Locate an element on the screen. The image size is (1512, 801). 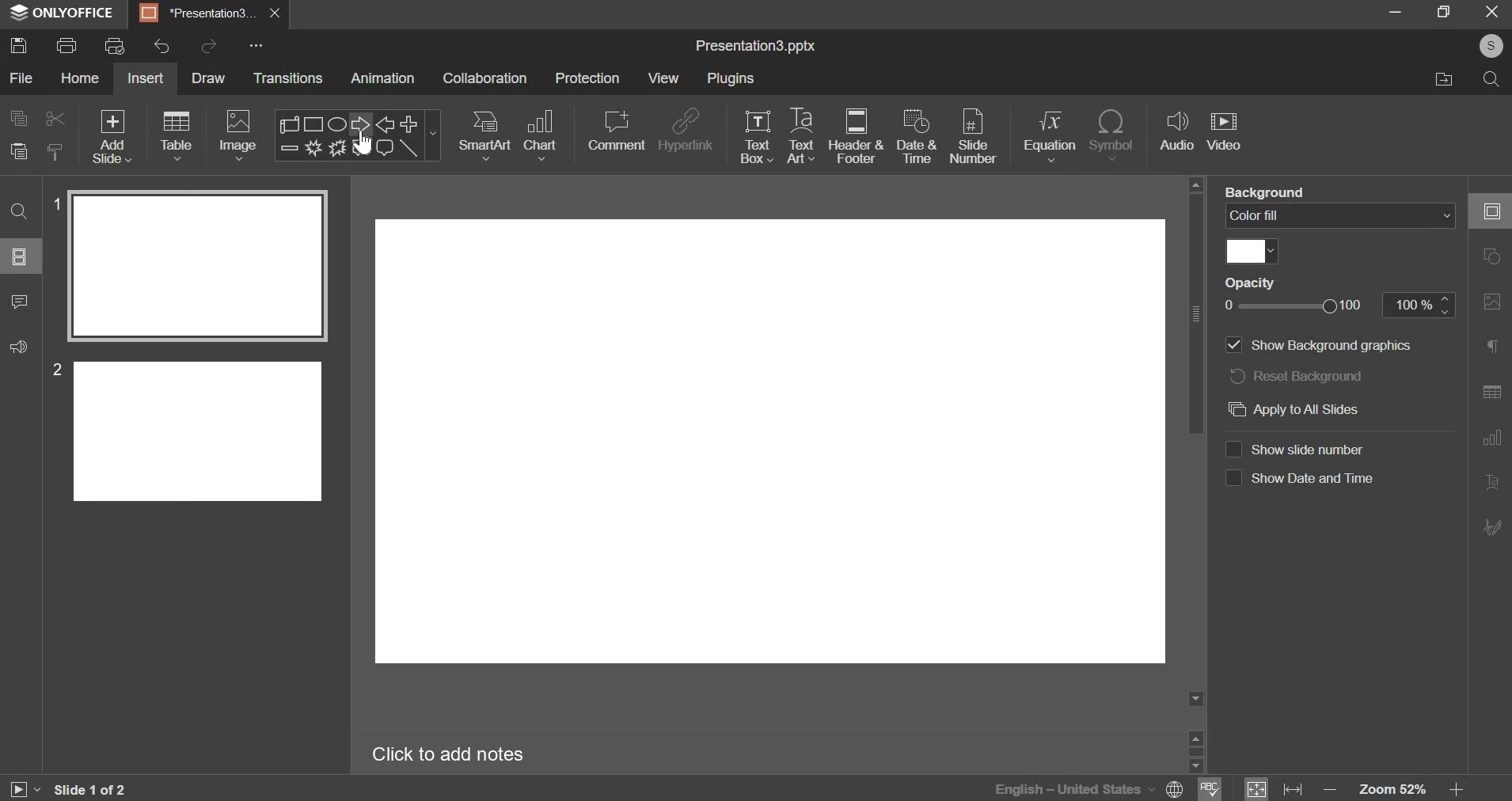
save is located at coordinates (19, 44).